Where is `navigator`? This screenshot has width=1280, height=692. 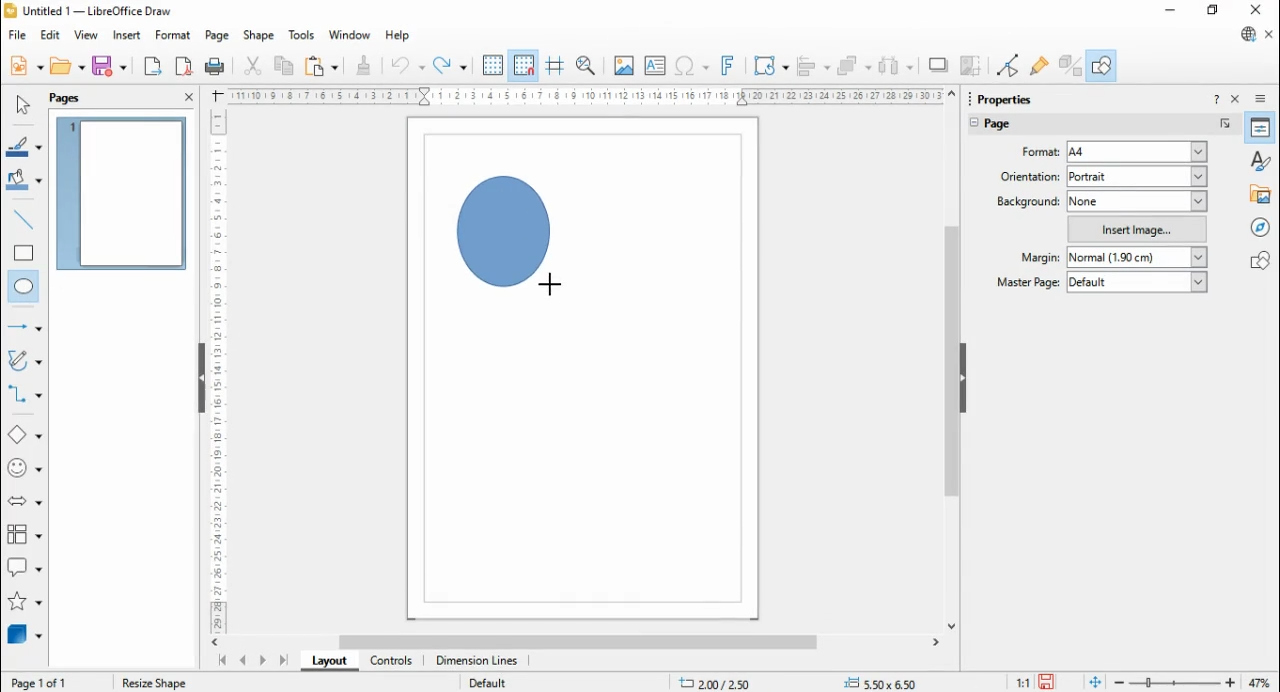
navigator is located at coordinates (1262, 226).